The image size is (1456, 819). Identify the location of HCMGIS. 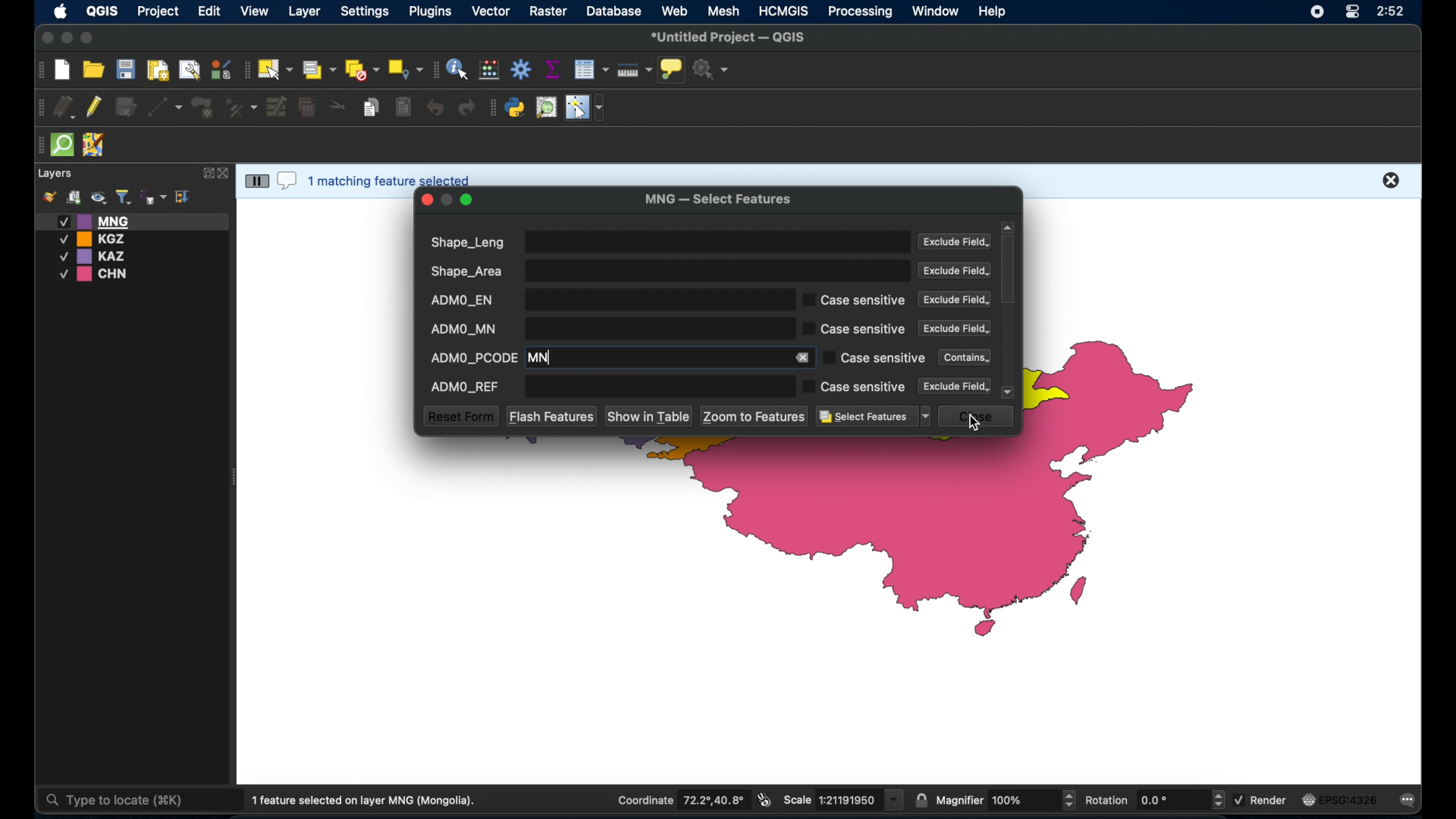
(784, 11).